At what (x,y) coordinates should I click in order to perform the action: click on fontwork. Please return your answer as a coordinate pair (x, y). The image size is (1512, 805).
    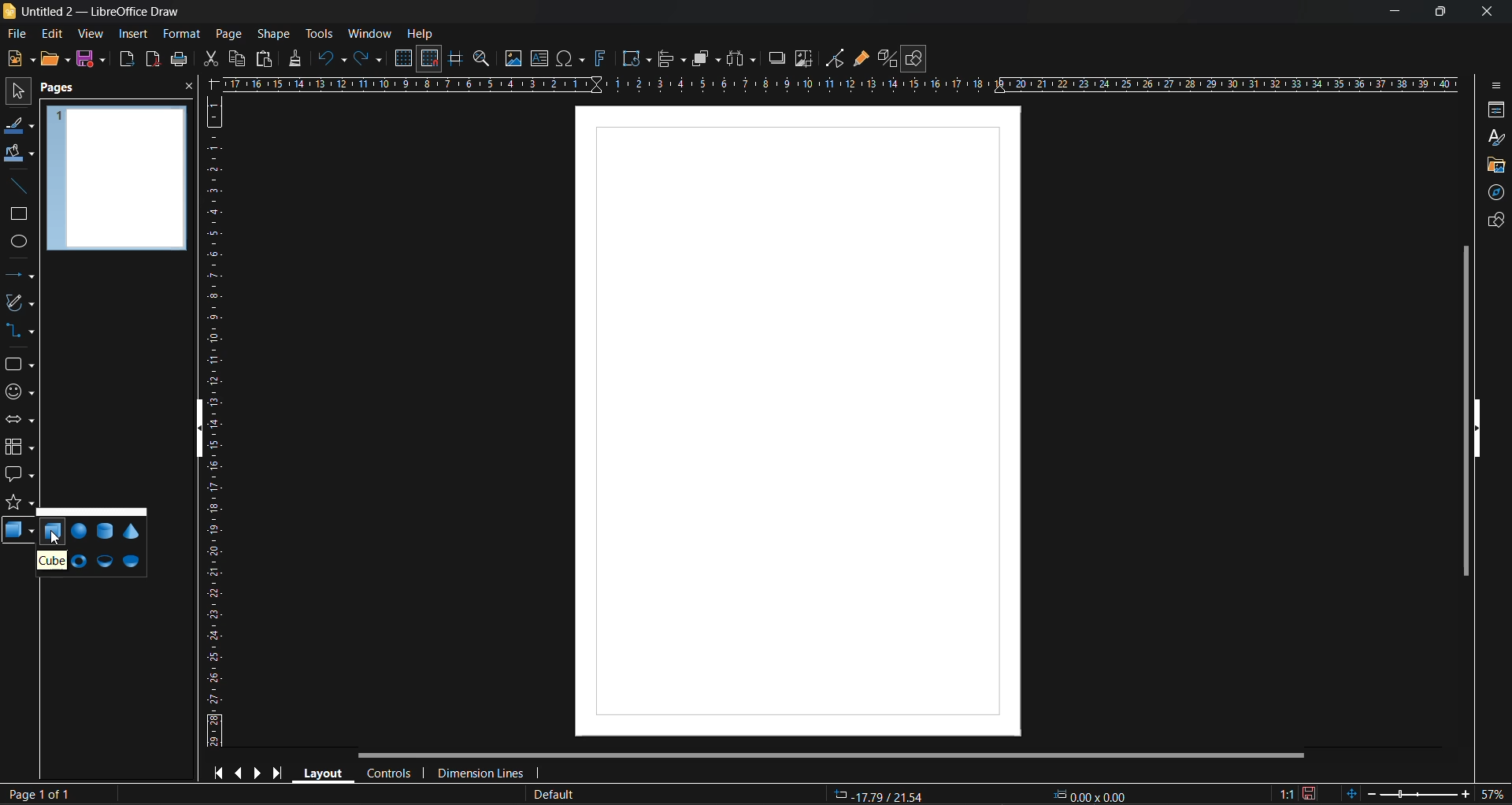
    Looking at the image, I should click on (603, 57).